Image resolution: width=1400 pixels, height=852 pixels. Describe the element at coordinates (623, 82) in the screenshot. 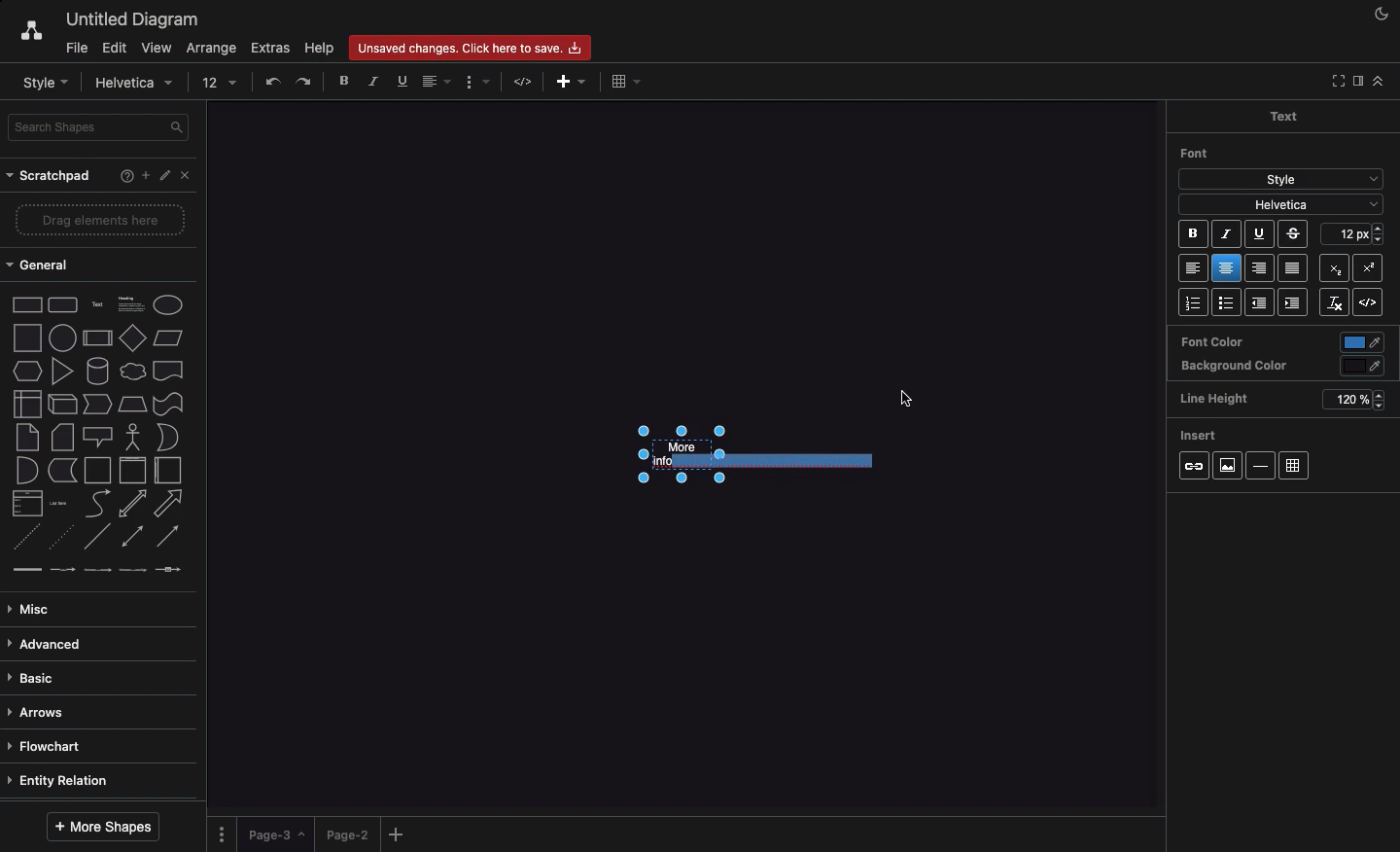

I see `Add` at that location.